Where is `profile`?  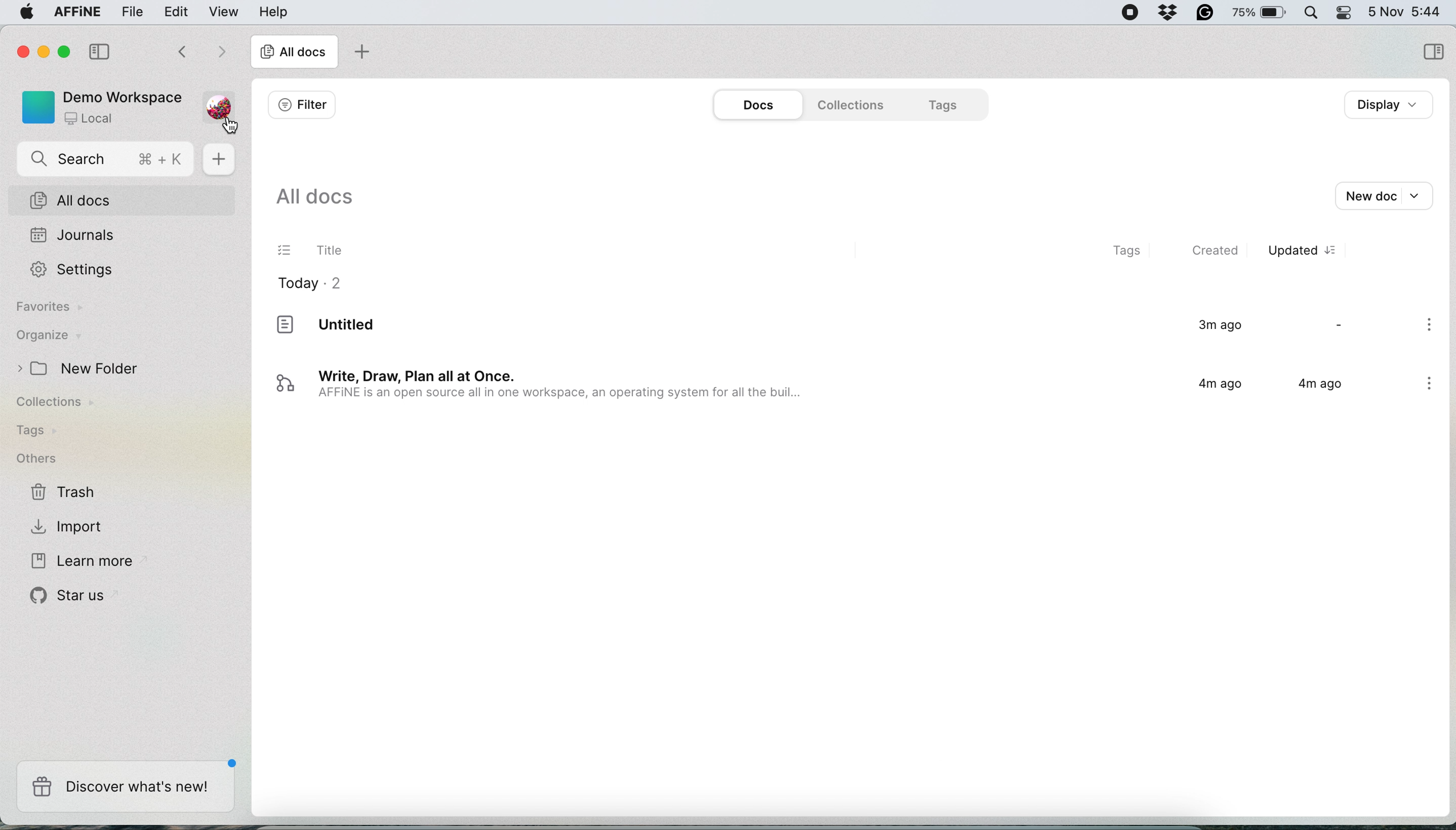
profile is located at coordinates (216, 103).